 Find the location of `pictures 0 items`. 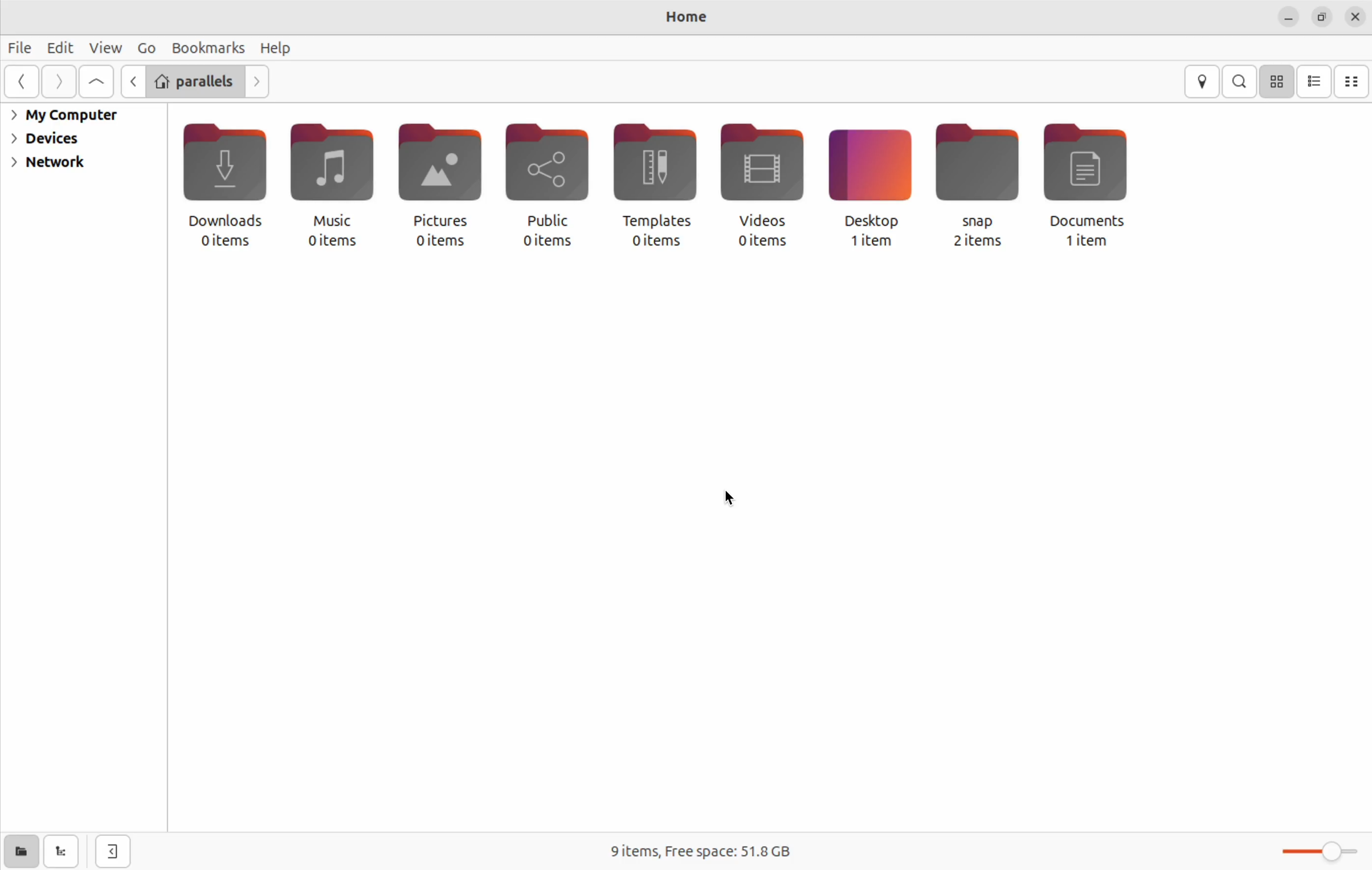

pictures 0 items is located at coordinates (434, 190).